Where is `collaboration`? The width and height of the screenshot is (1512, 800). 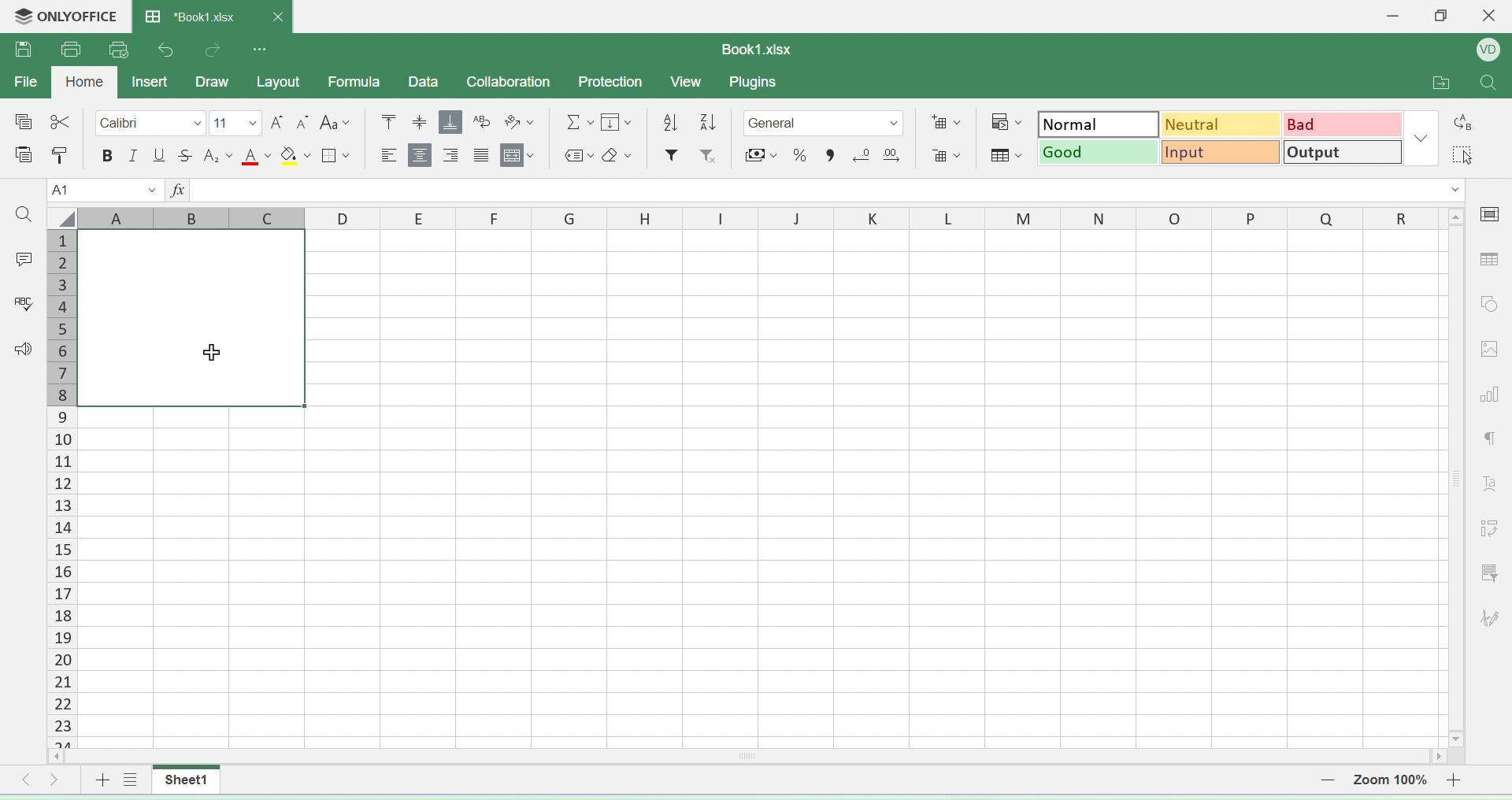 collaboration is located at coordinates (511, 83).